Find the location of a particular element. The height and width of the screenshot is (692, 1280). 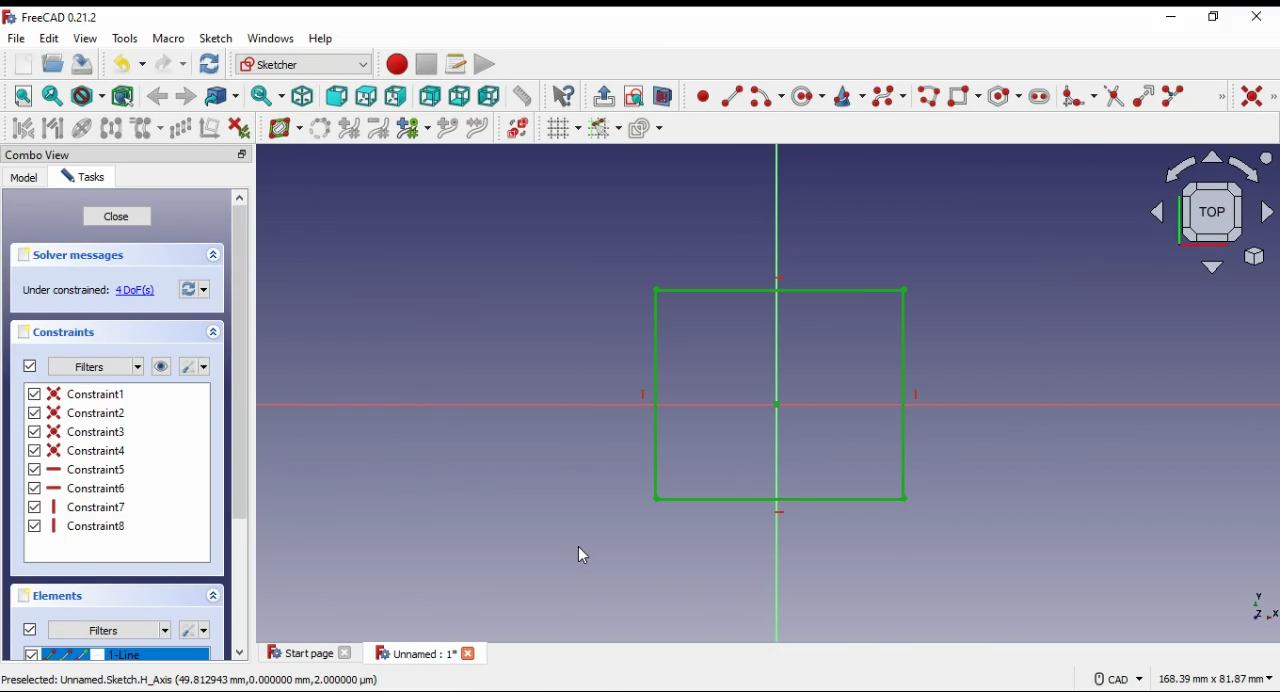

top is located at coordinates (367, 97).